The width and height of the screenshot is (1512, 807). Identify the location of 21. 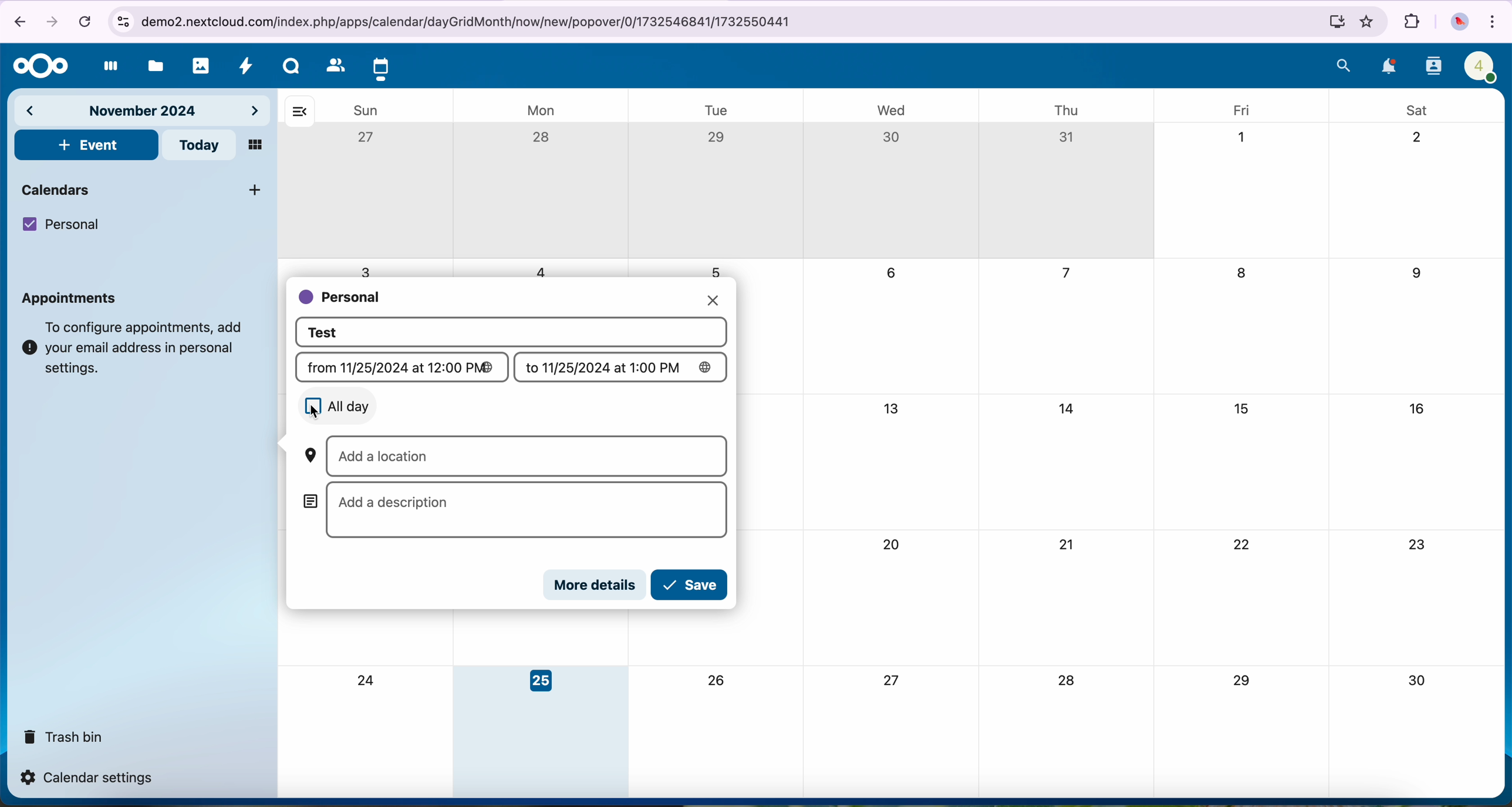
(1069, 543).